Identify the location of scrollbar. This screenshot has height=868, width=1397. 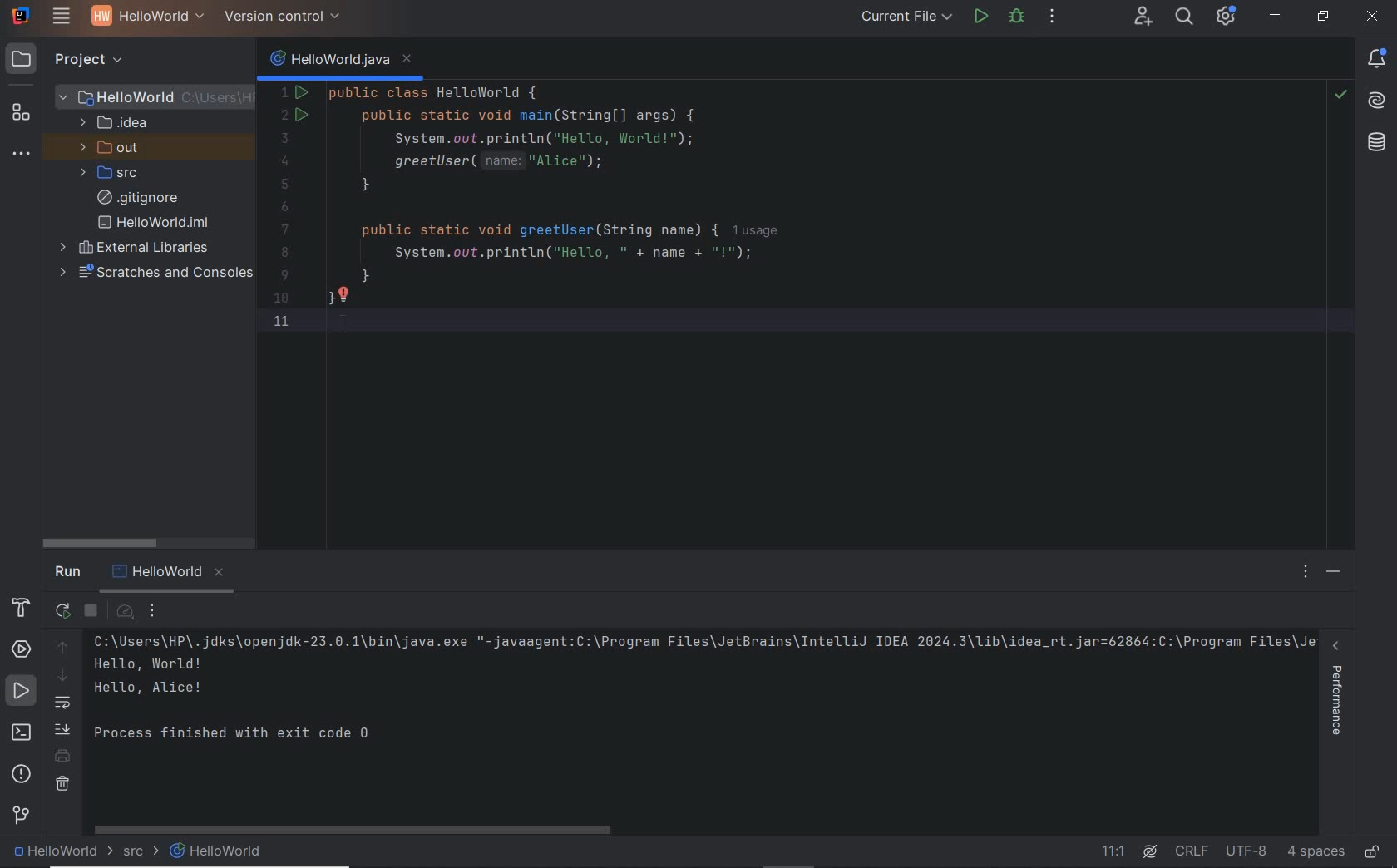
(360, 828).